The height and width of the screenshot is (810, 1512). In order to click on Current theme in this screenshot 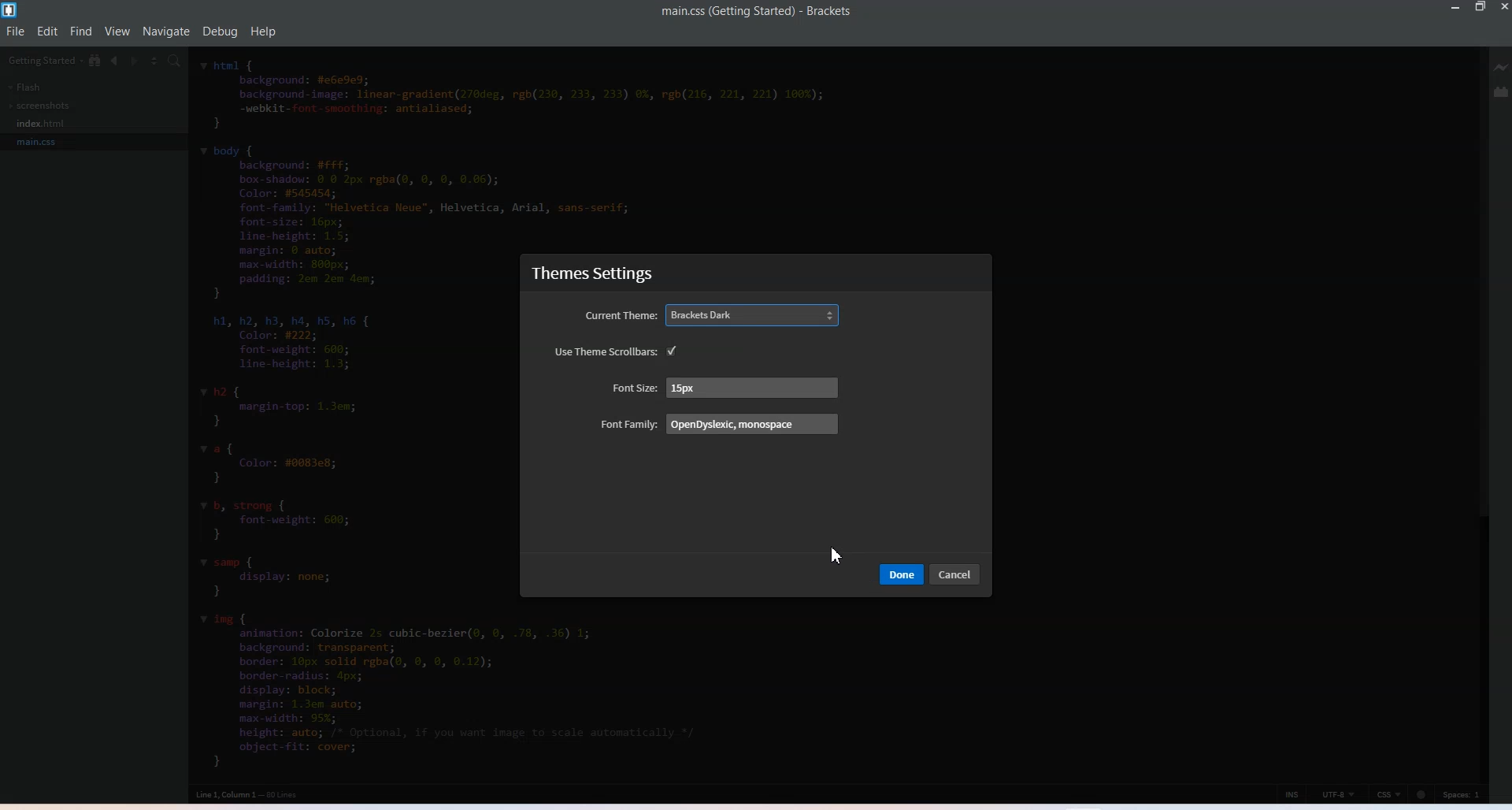, I will do `click(617, 314)`.